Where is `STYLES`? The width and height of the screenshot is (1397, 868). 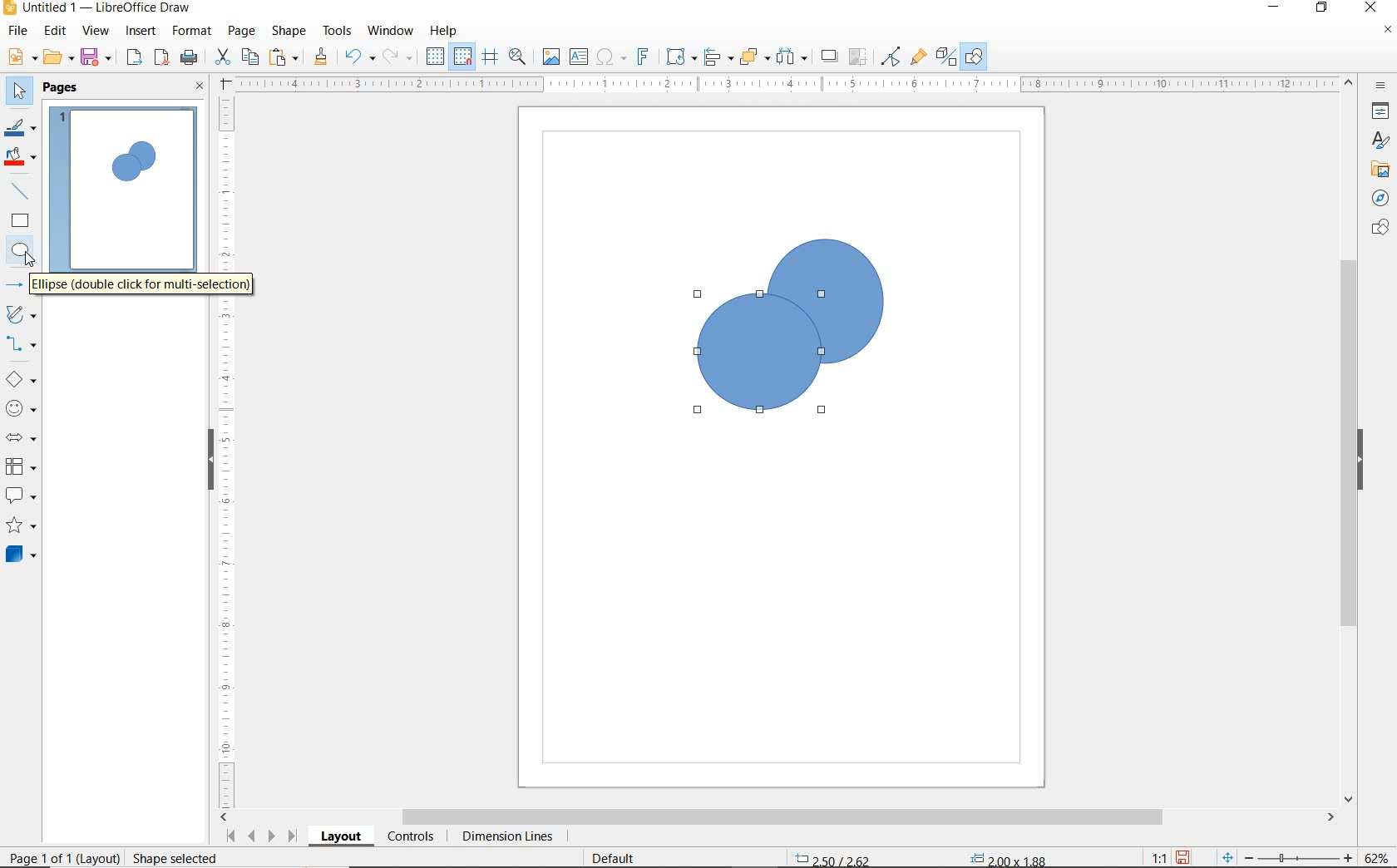 STYLES is located at coordinates (1376, 143).